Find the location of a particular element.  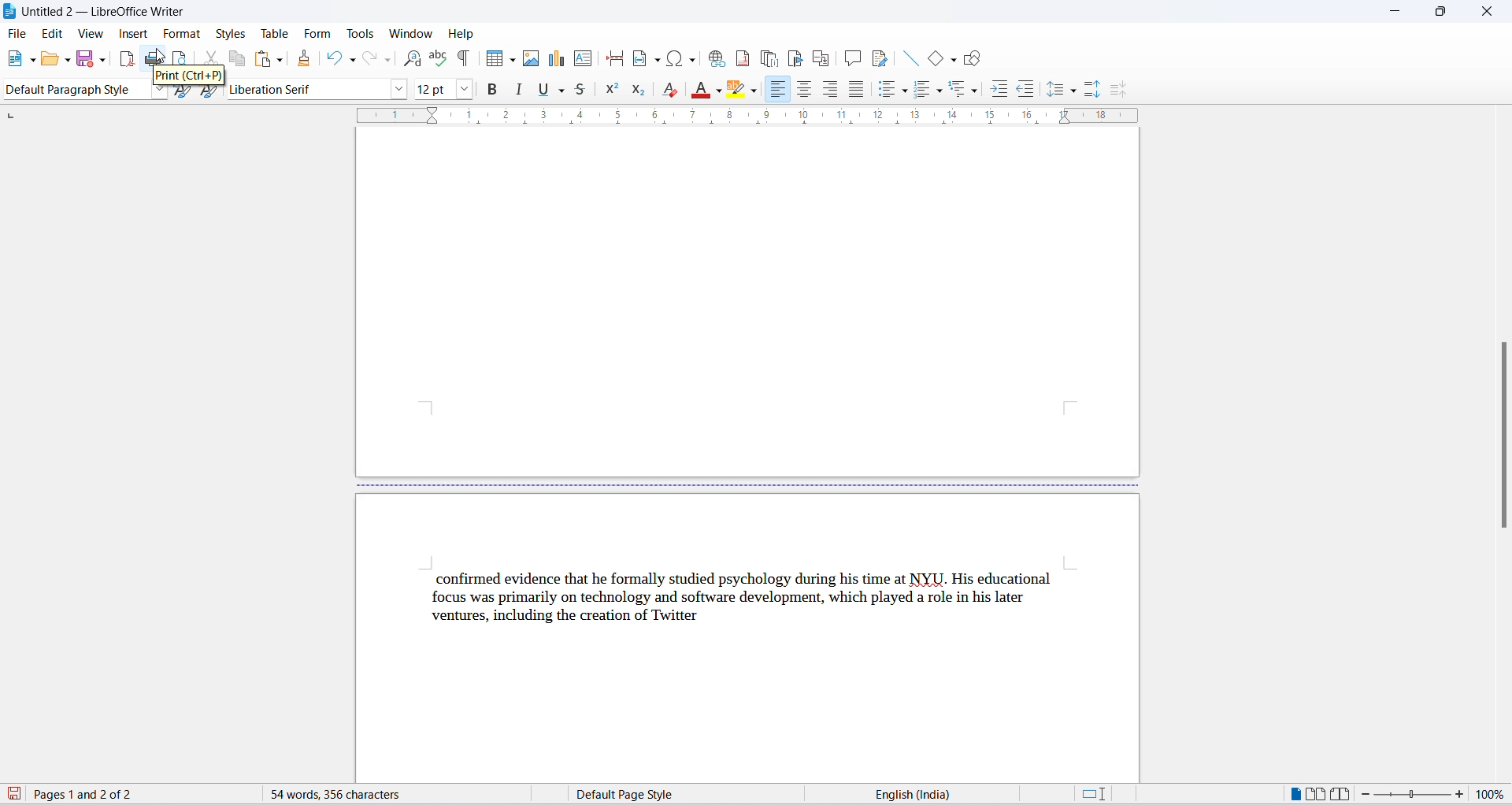

edit is located at coordinates (54, 34).